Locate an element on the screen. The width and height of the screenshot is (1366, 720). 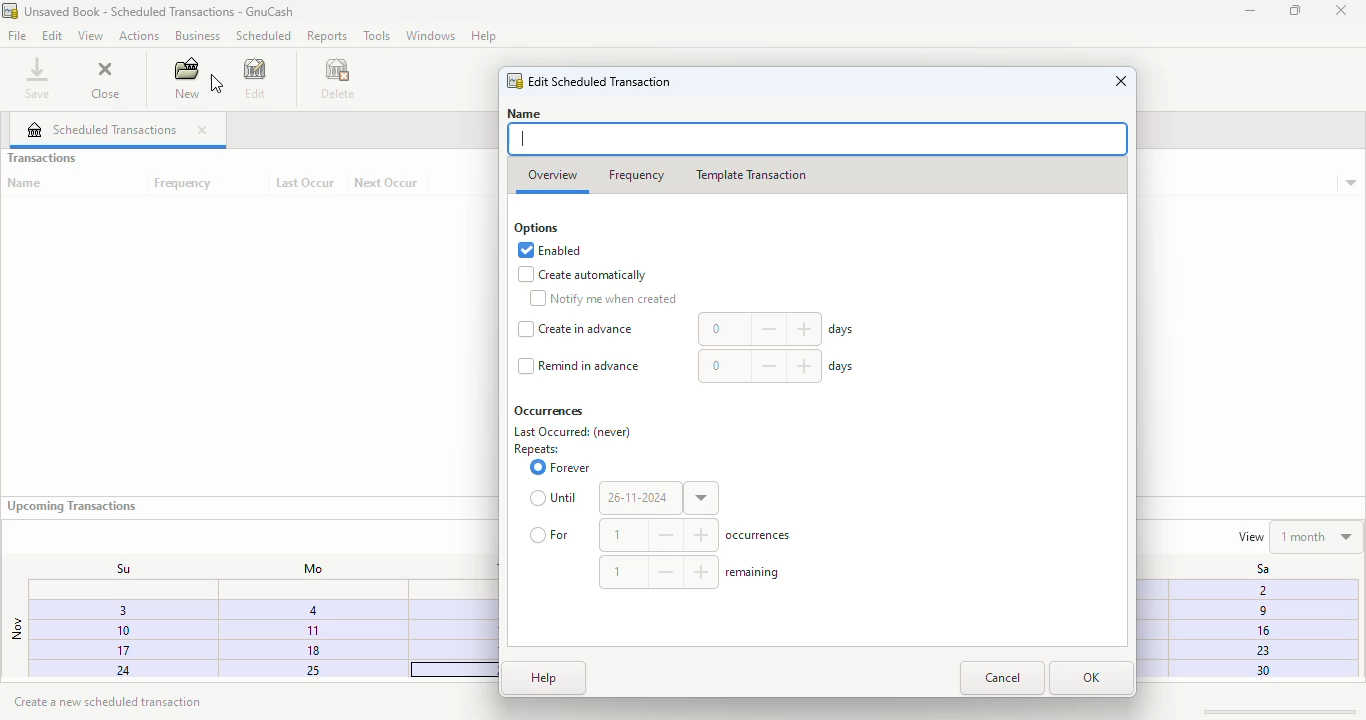
25 is located at coordinates (302, 670).